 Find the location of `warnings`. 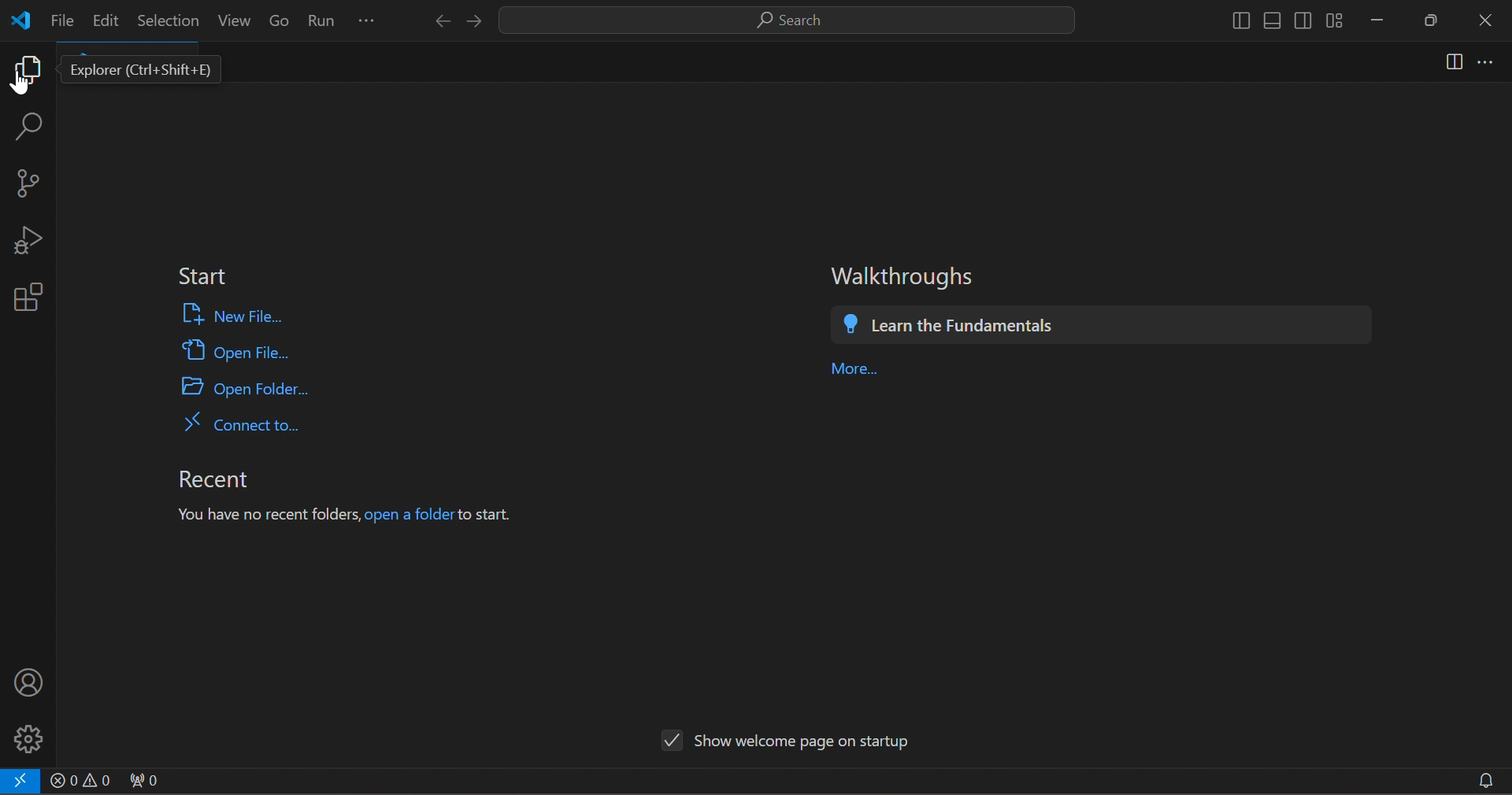

warnings is located at coordinates (82, 780).